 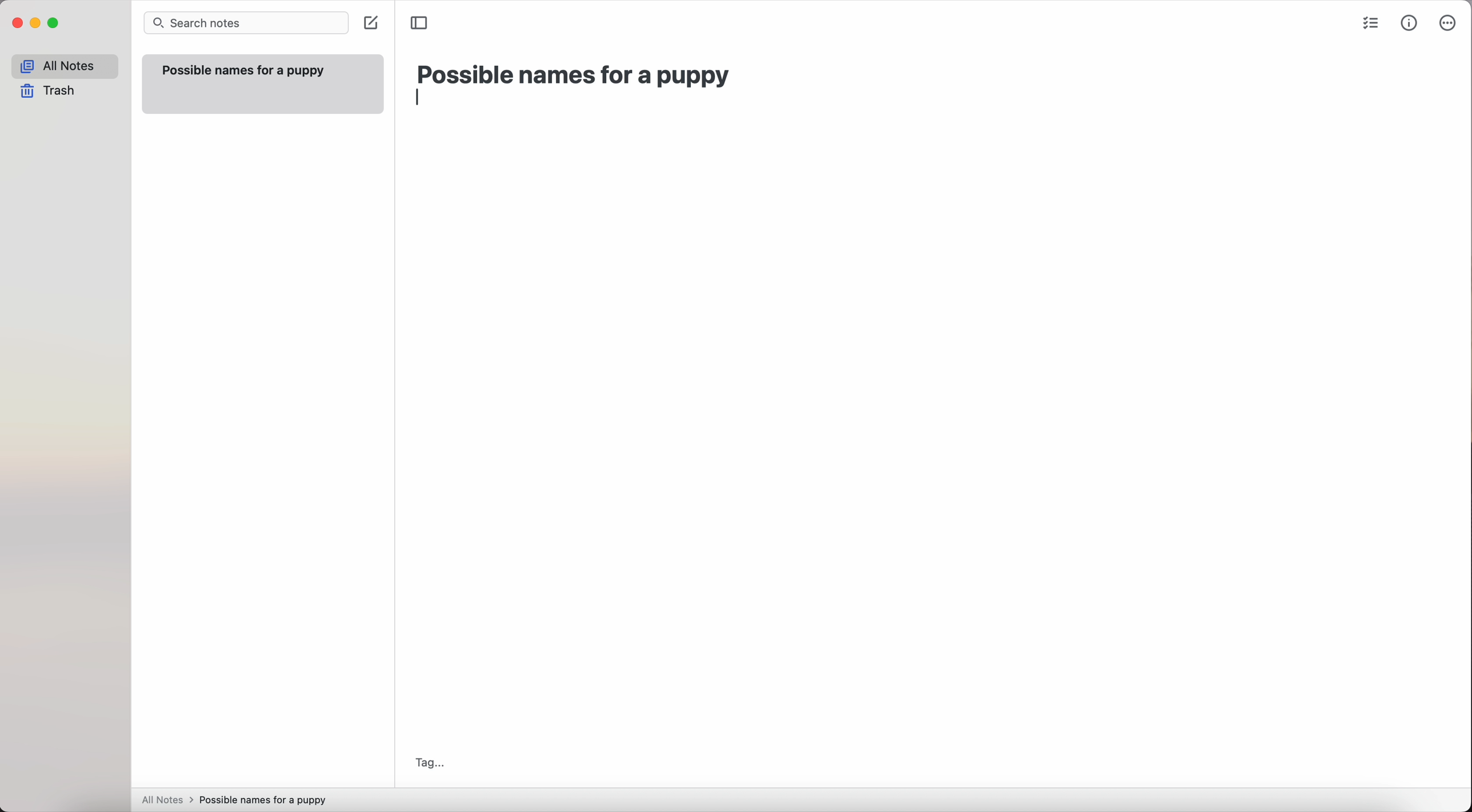 What do you see at coordinates (238, 799) in the screenshot?
I see `all notes > possible names for a puppy` at bounding box center [238, 799].